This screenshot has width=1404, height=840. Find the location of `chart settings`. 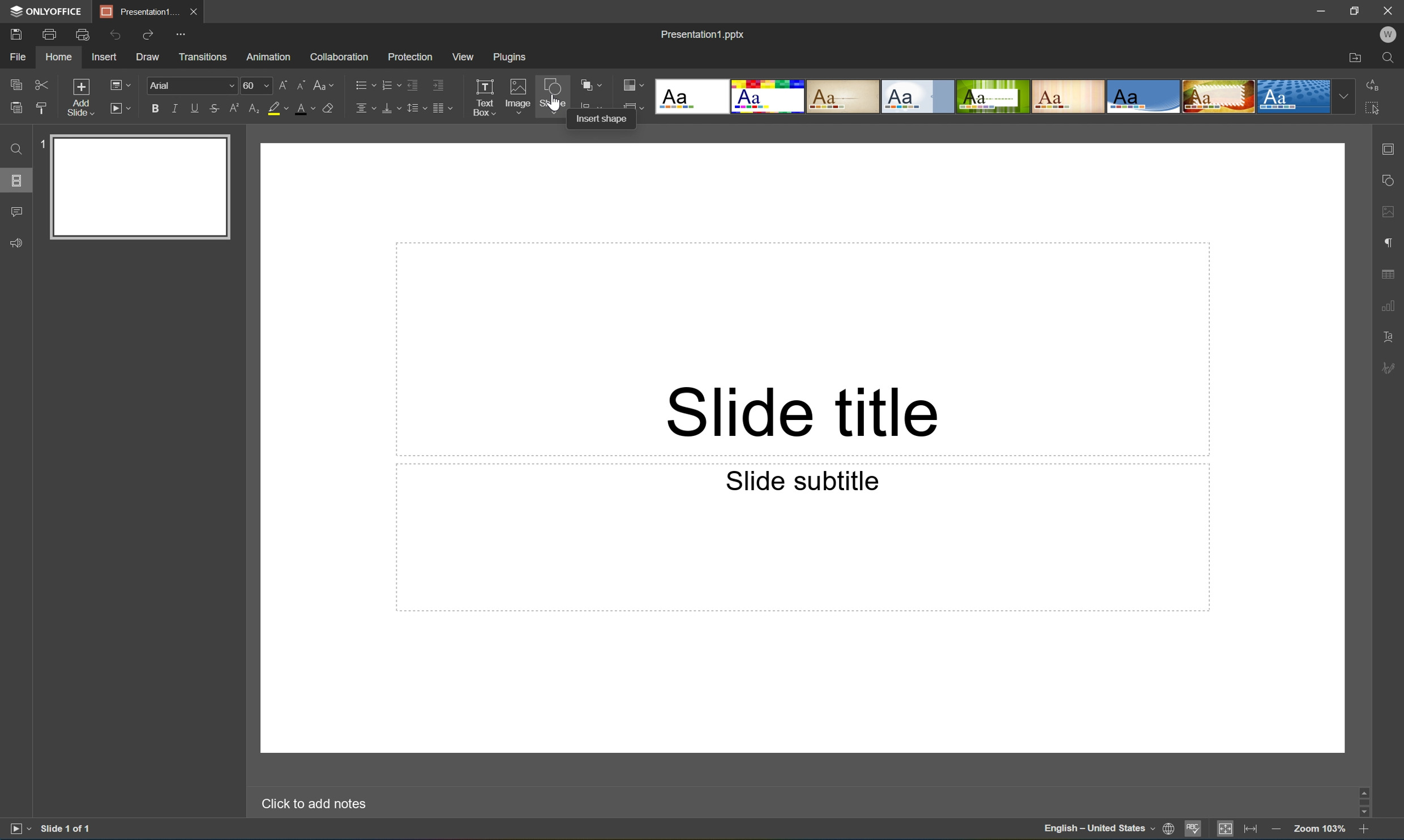

chart settings is located at coordinates (1390, 307).